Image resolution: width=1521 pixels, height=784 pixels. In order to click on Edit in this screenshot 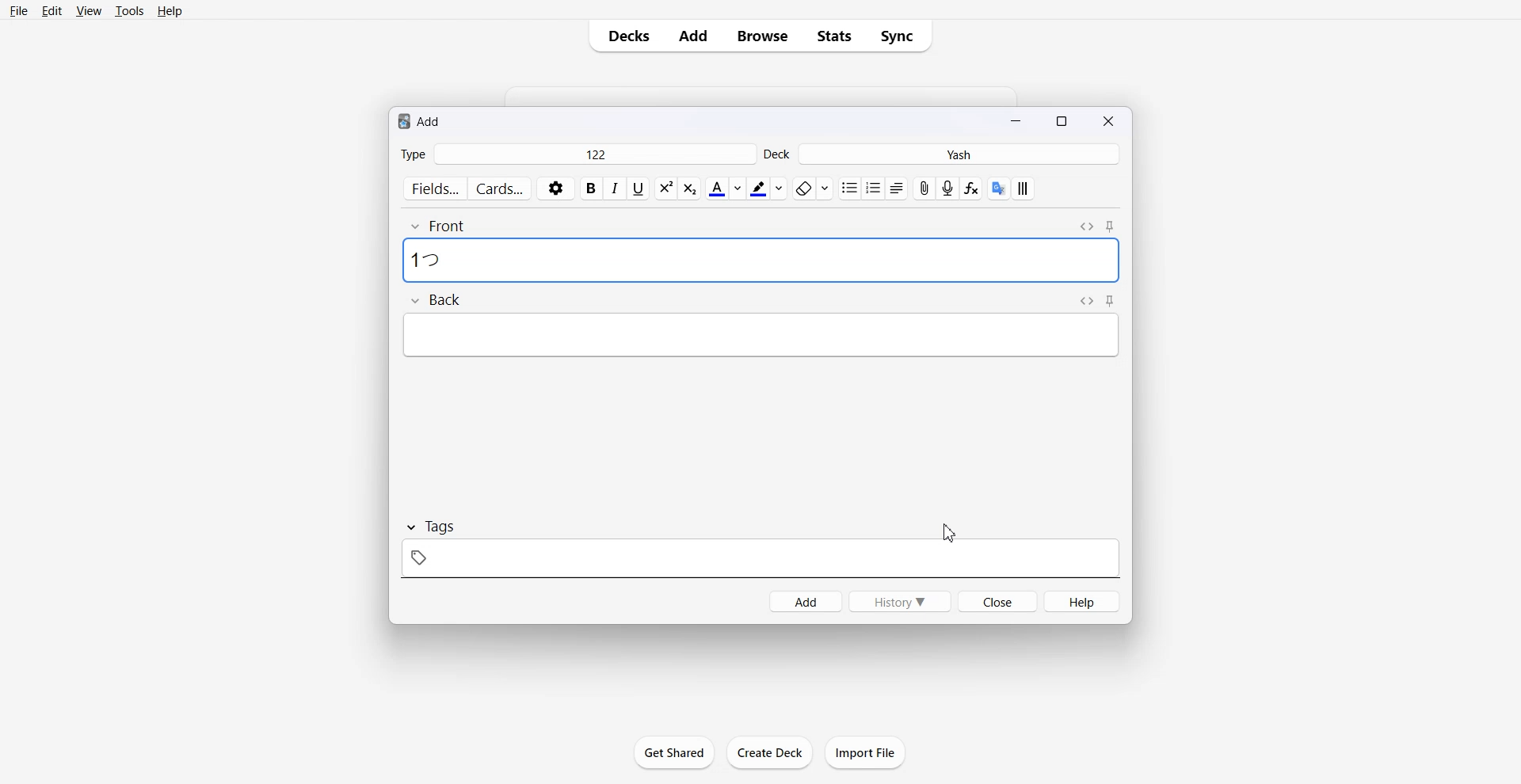, I will do `click(51, 10)`.